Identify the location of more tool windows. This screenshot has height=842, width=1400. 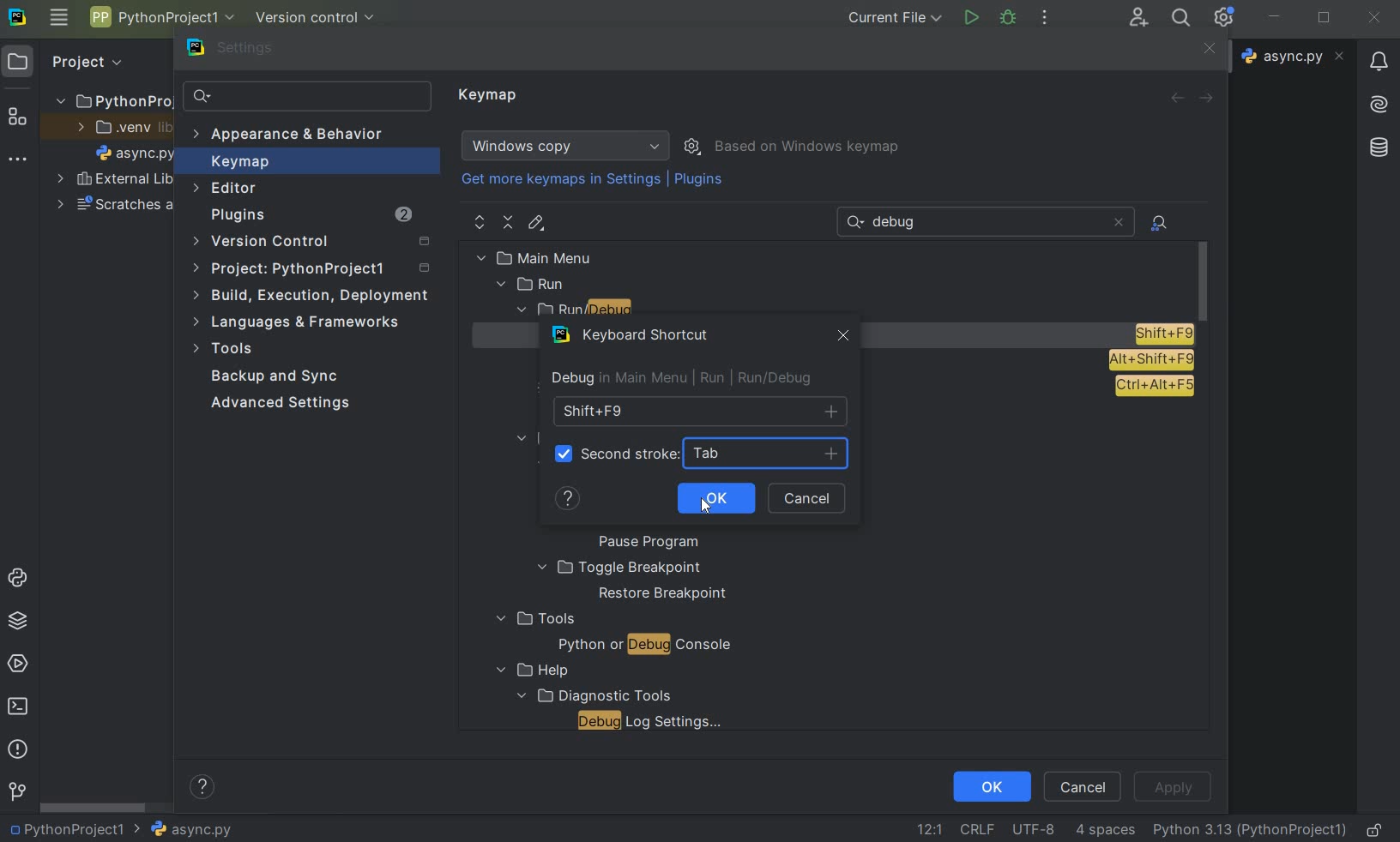
(15, 159).